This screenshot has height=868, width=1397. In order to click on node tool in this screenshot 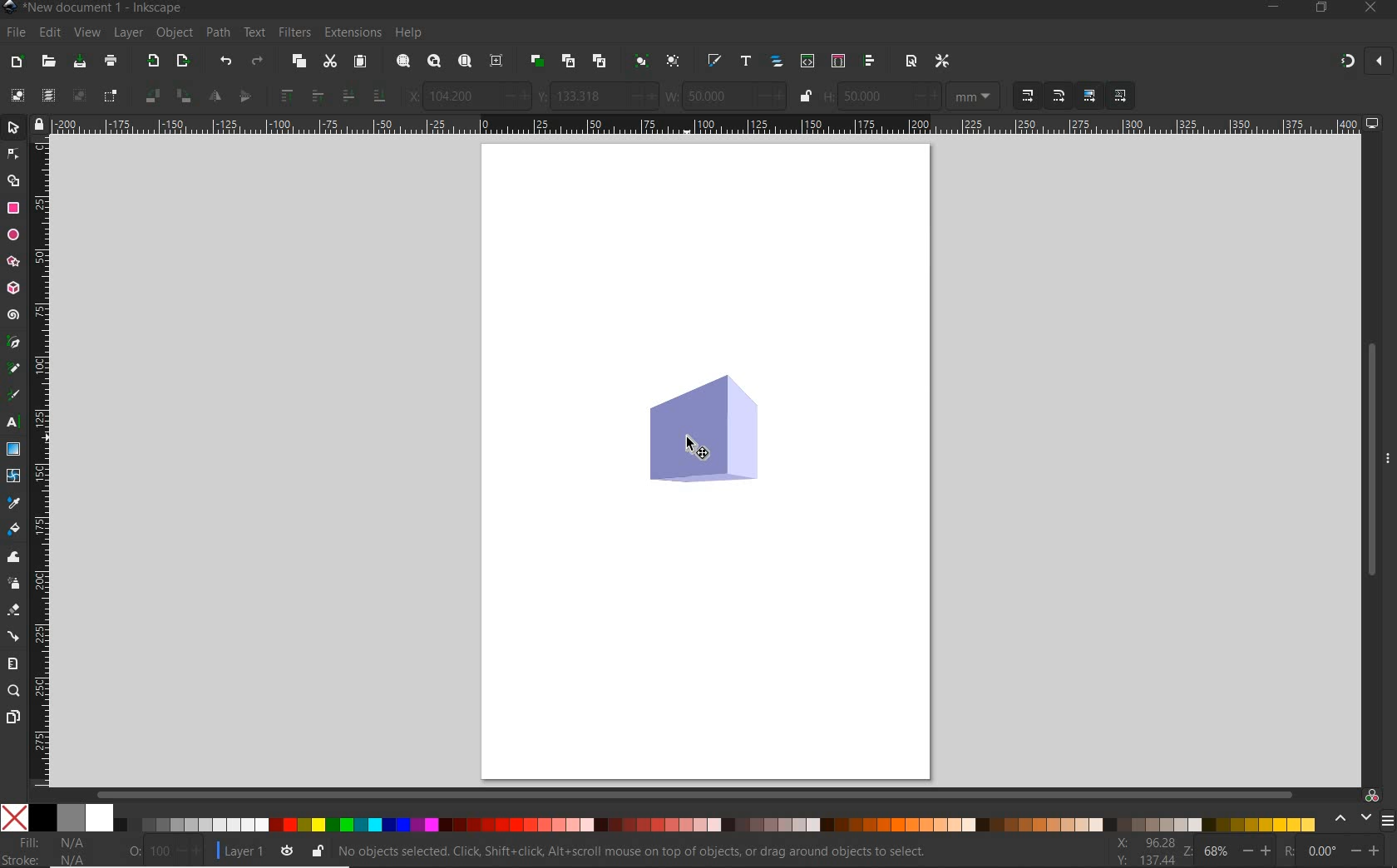, I will do `click(13, 155)`.